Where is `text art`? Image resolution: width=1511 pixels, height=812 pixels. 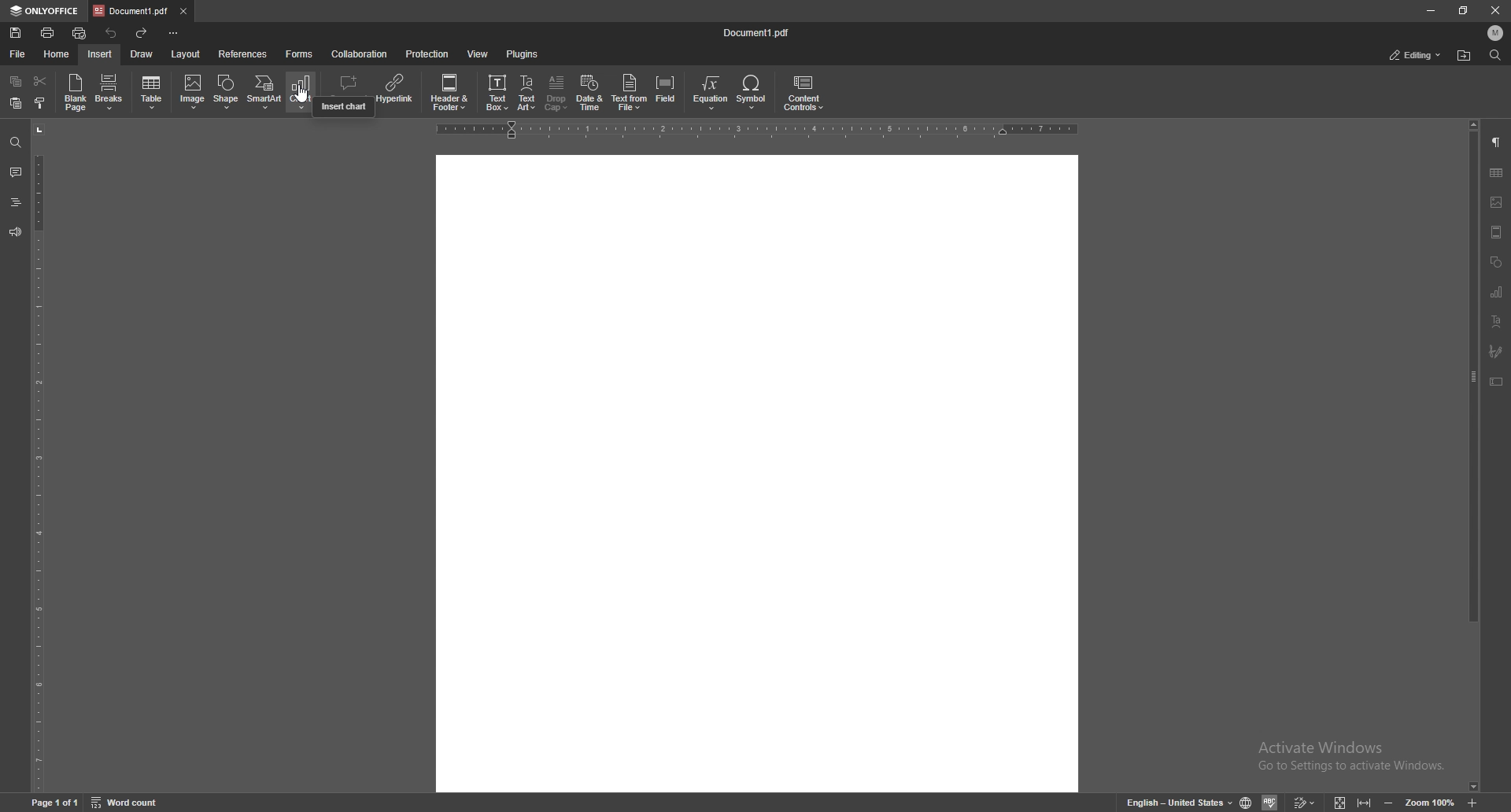 text art is located at coordinates (526, 93).